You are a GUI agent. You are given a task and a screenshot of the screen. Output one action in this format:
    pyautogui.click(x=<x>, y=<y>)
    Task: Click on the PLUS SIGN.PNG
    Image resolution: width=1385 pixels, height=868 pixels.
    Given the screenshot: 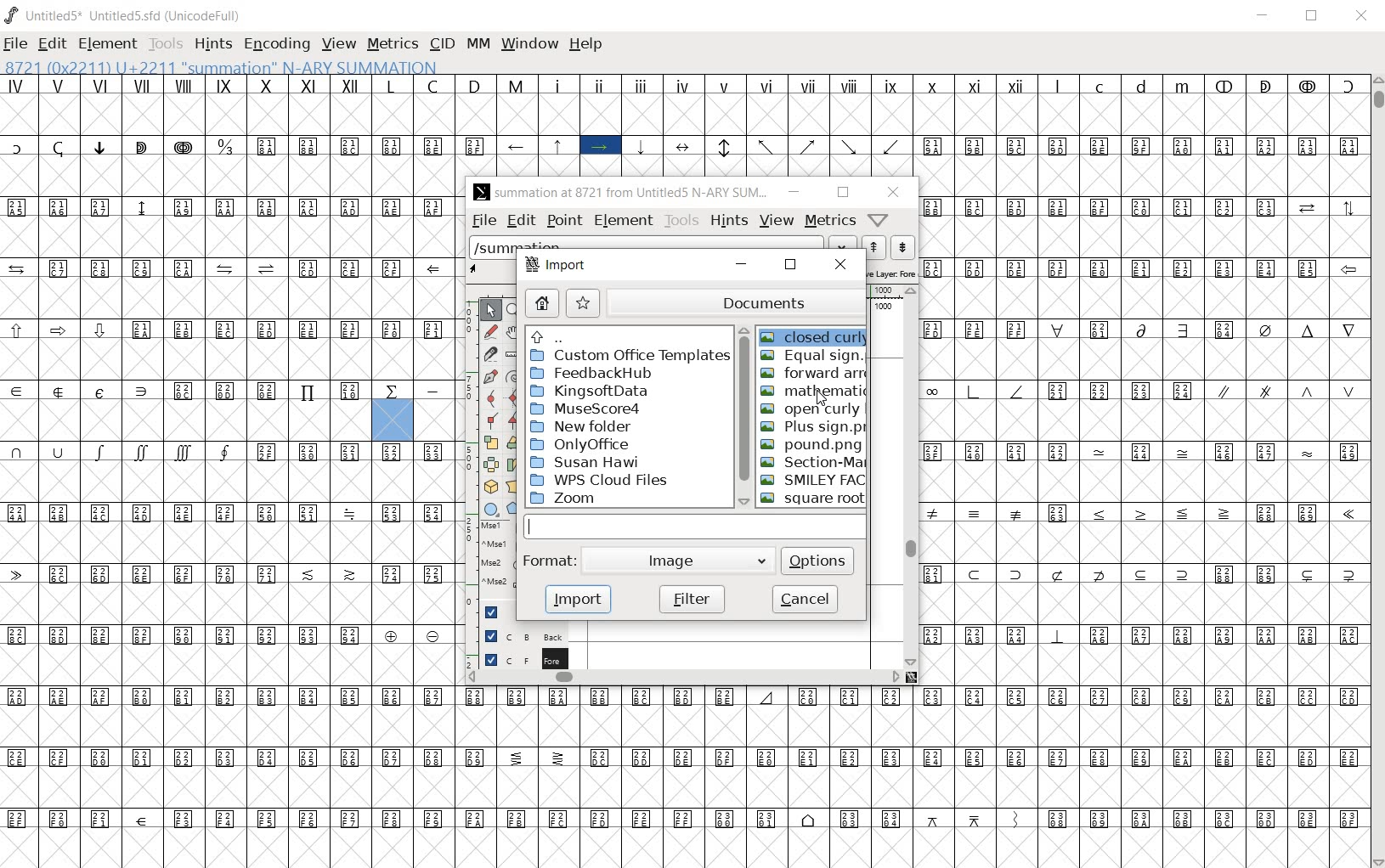 What is the action you would take?
    pyautogui.click(x=812, y=428)
    